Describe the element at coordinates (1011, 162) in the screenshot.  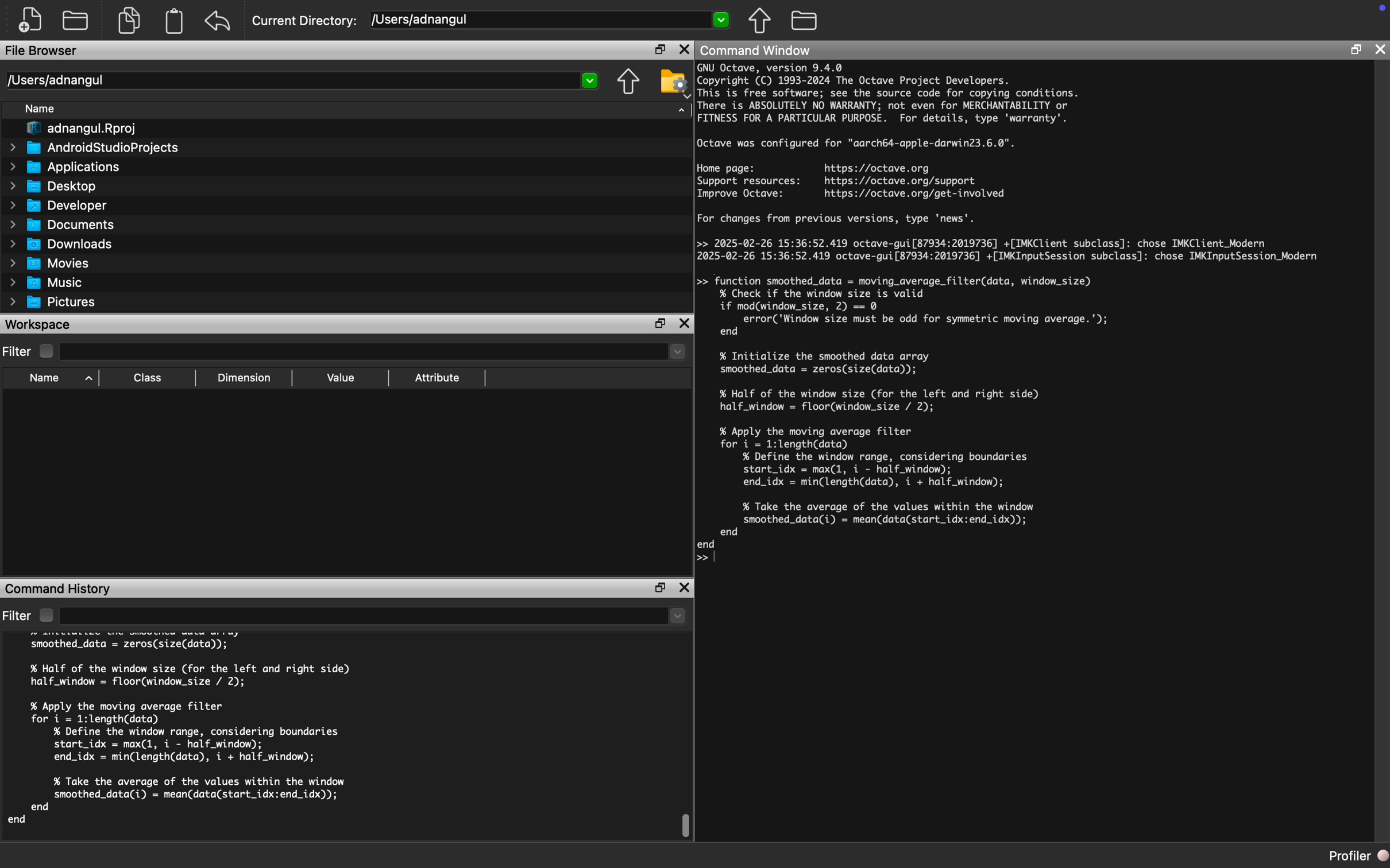
I see `GNU Octave, version 9.4.0

Copyright (C) 1993-2024 The Octave Project Developers.

This is free software; see the source code for copying conditions.

There is ABSOLUTELY NO WARRANTY; not even for MERCHANTABILITY or

FITNESS FOR A PARTICULAR PURPOSE. For details, type 'warranty'.

Octave was configured for "aarch64-apple-darwin23.6.0".

Home page: https://octave.org

Support resources: https://octave.org/support

Improve Octave: https://octave.org/get-involved

For changes from previous versions, type 'news'.

>> 2025-02-26 15:36:52.419 octave-gui[87934:2019736] +[IMKClient subclass]: chose IMKClient_Modern
2025-02-26 15:36:52.419 octave-gui[87934:2019736] +[IMKInputSession subclass]: chose IMKInputSession_Modern` at that location.